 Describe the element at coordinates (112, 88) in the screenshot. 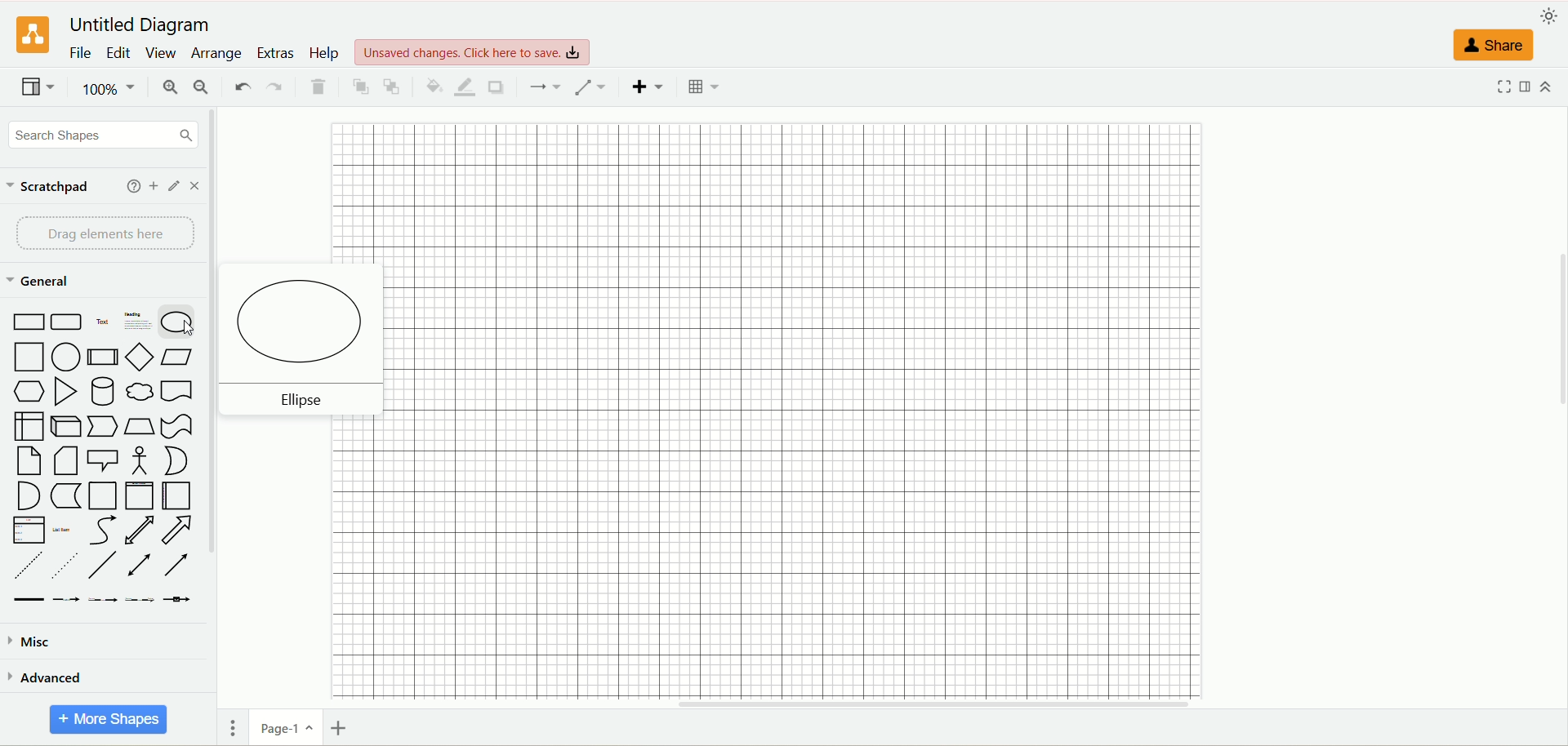

I see `zoom factor` at that location.